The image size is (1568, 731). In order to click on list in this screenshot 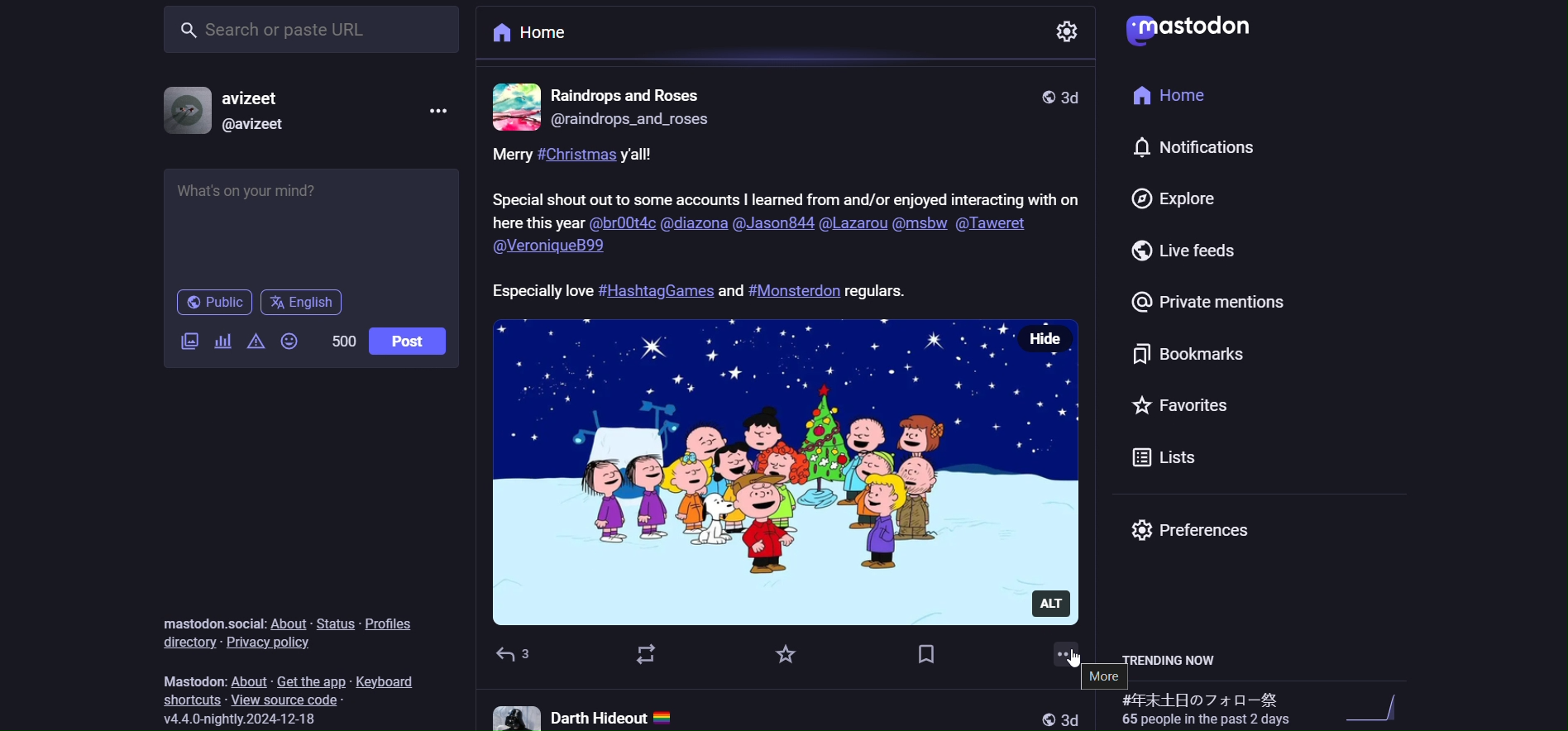, I will do `click(1177, 459)`.